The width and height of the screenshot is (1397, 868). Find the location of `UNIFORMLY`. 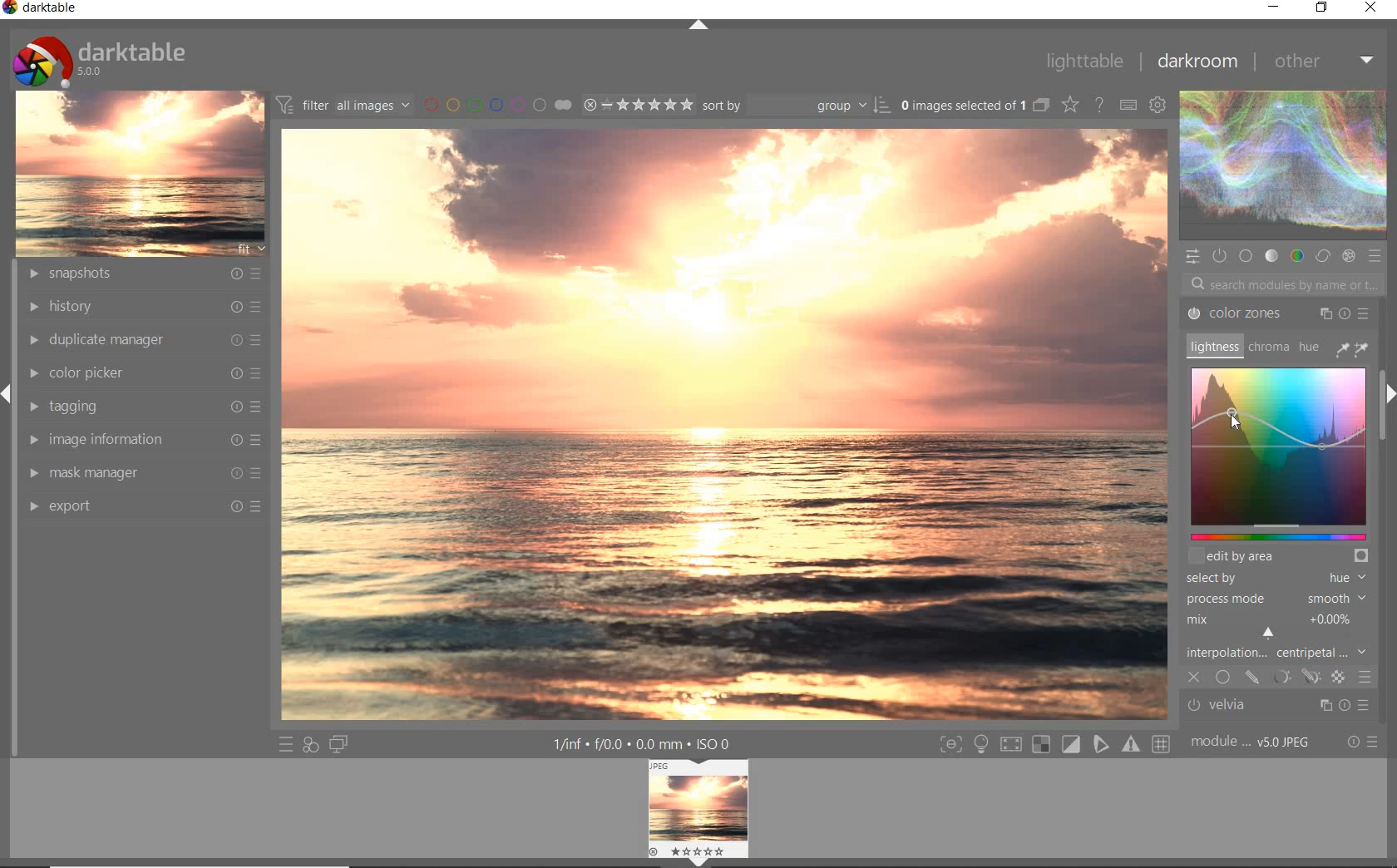

UNIFORMLY is located at coordinates (1222, 678).